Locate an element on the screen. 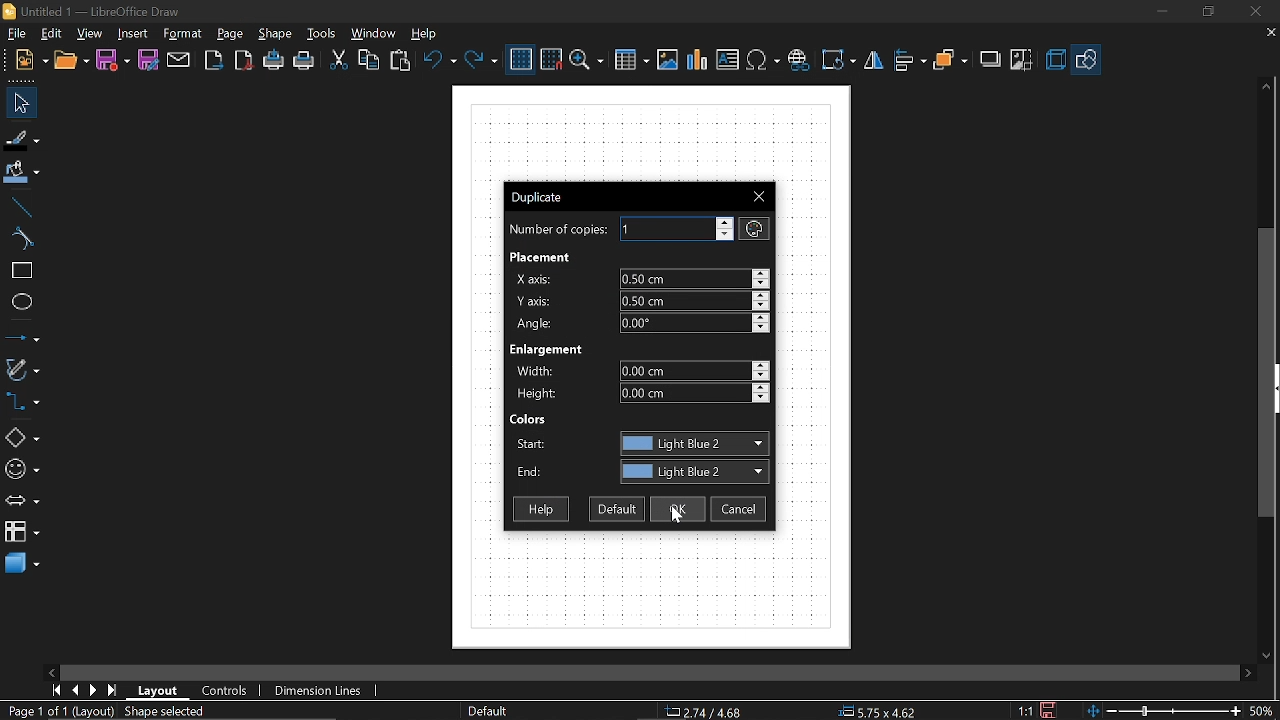  go to last page is located at coordinates (114, 691).